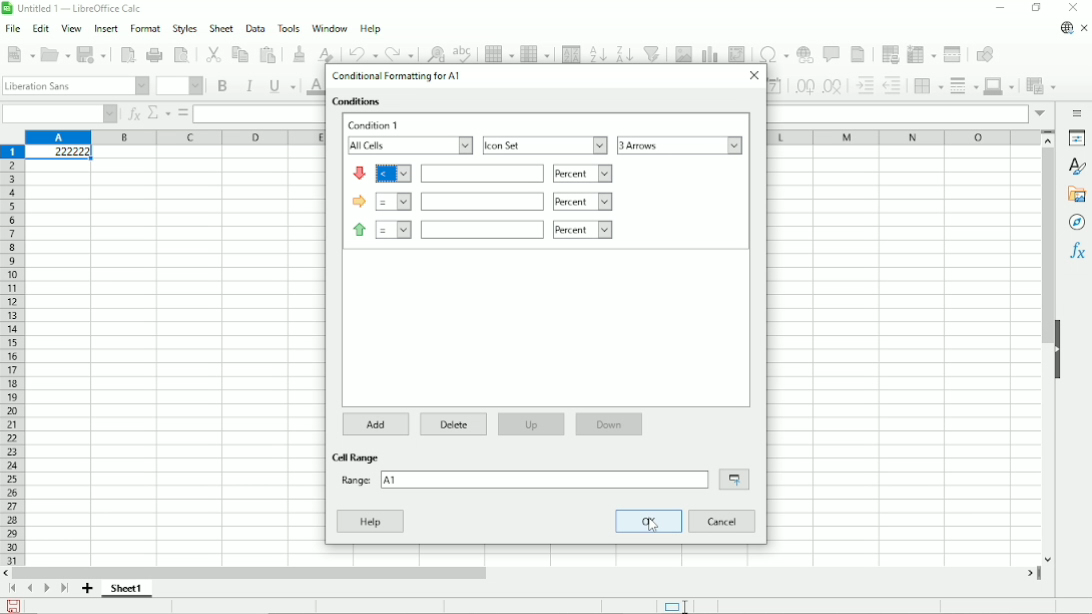  I want to click on Paste, so click(268, 52).